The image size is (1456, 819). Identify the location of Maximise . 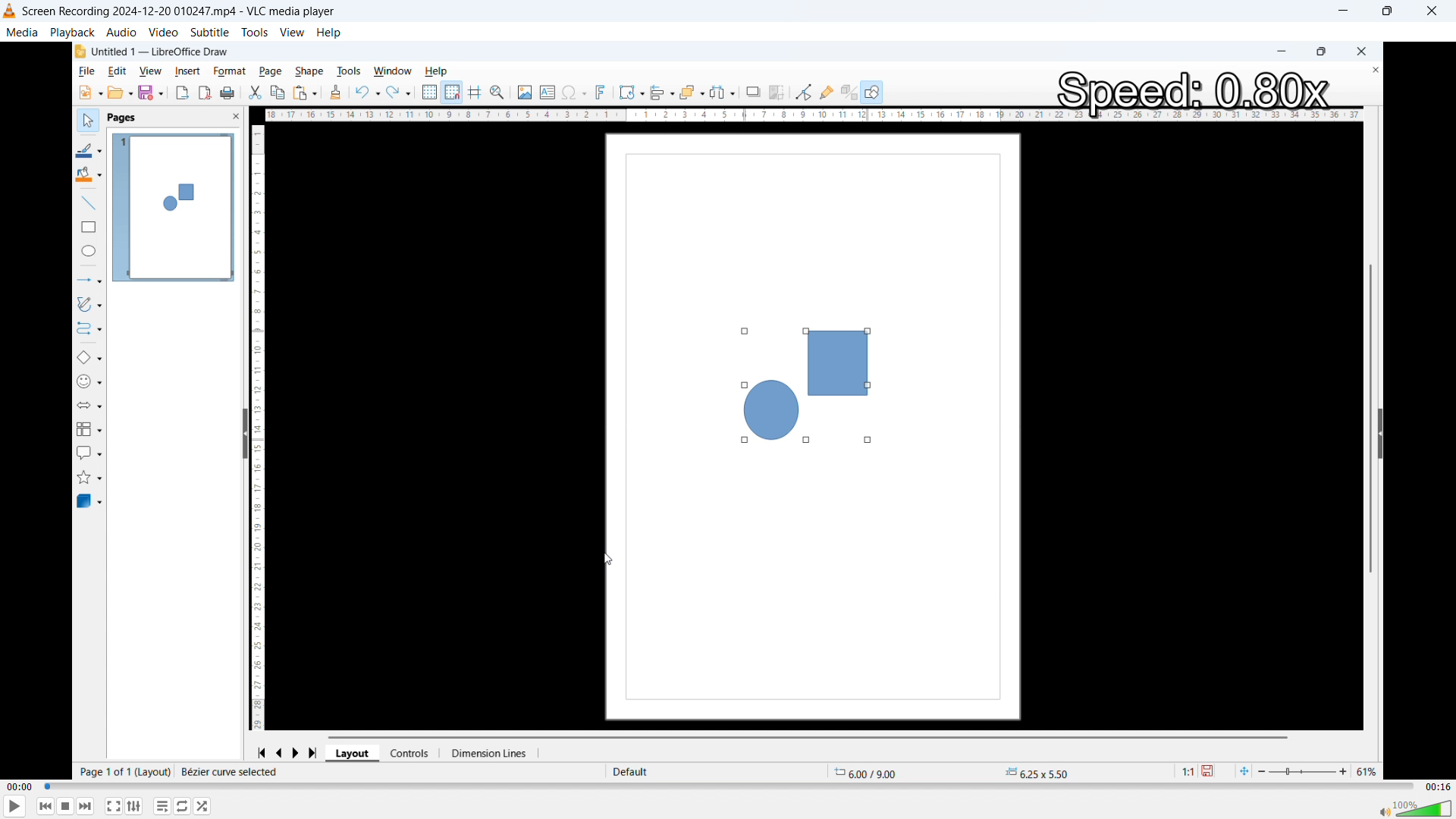
(1390, 11).